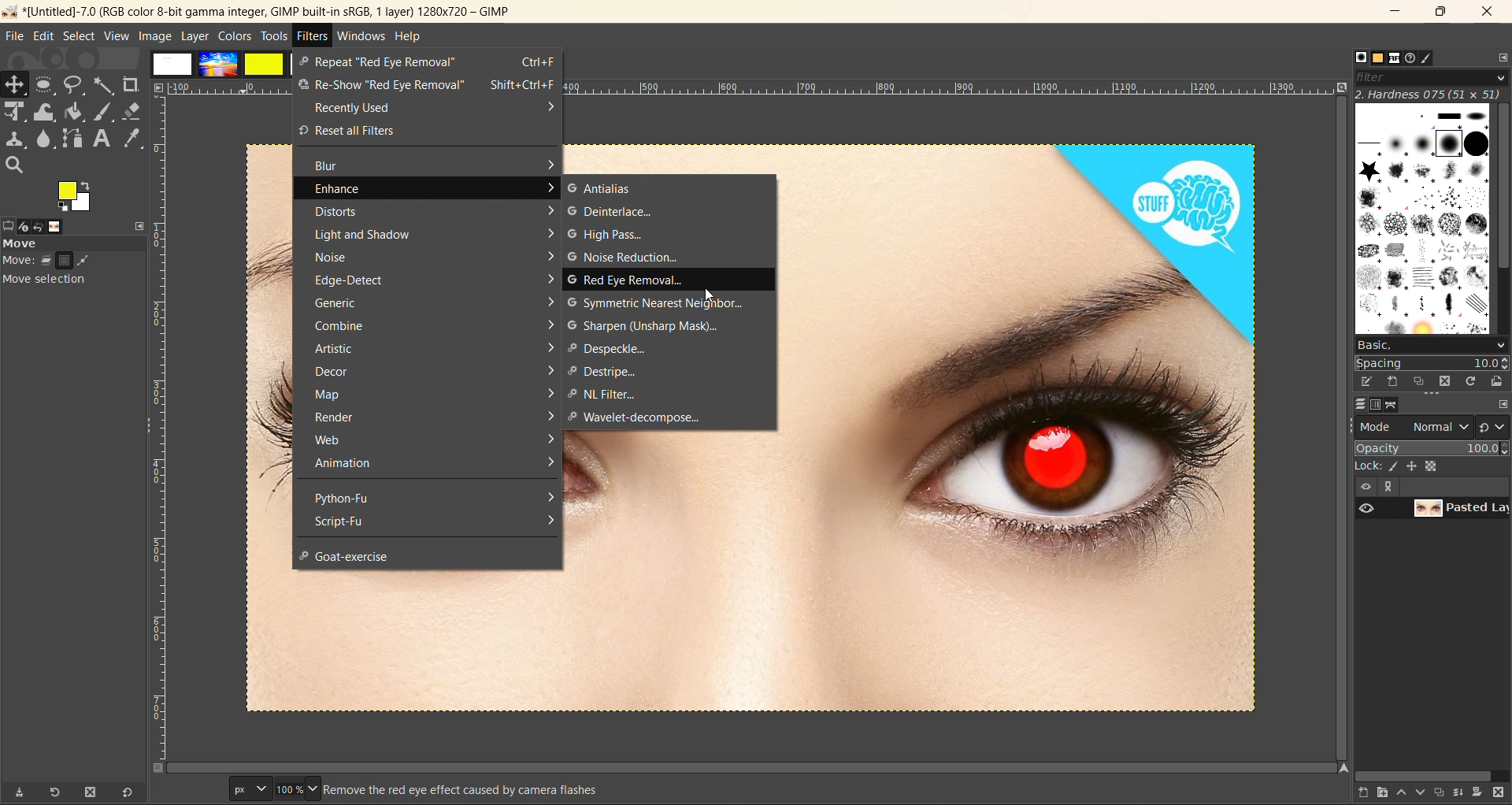 This screenshot has width=1512, height=805. What do you see at coordinates (1354, 406) in the screenshot?
I see `layer` at bounding box center [1354, 406].